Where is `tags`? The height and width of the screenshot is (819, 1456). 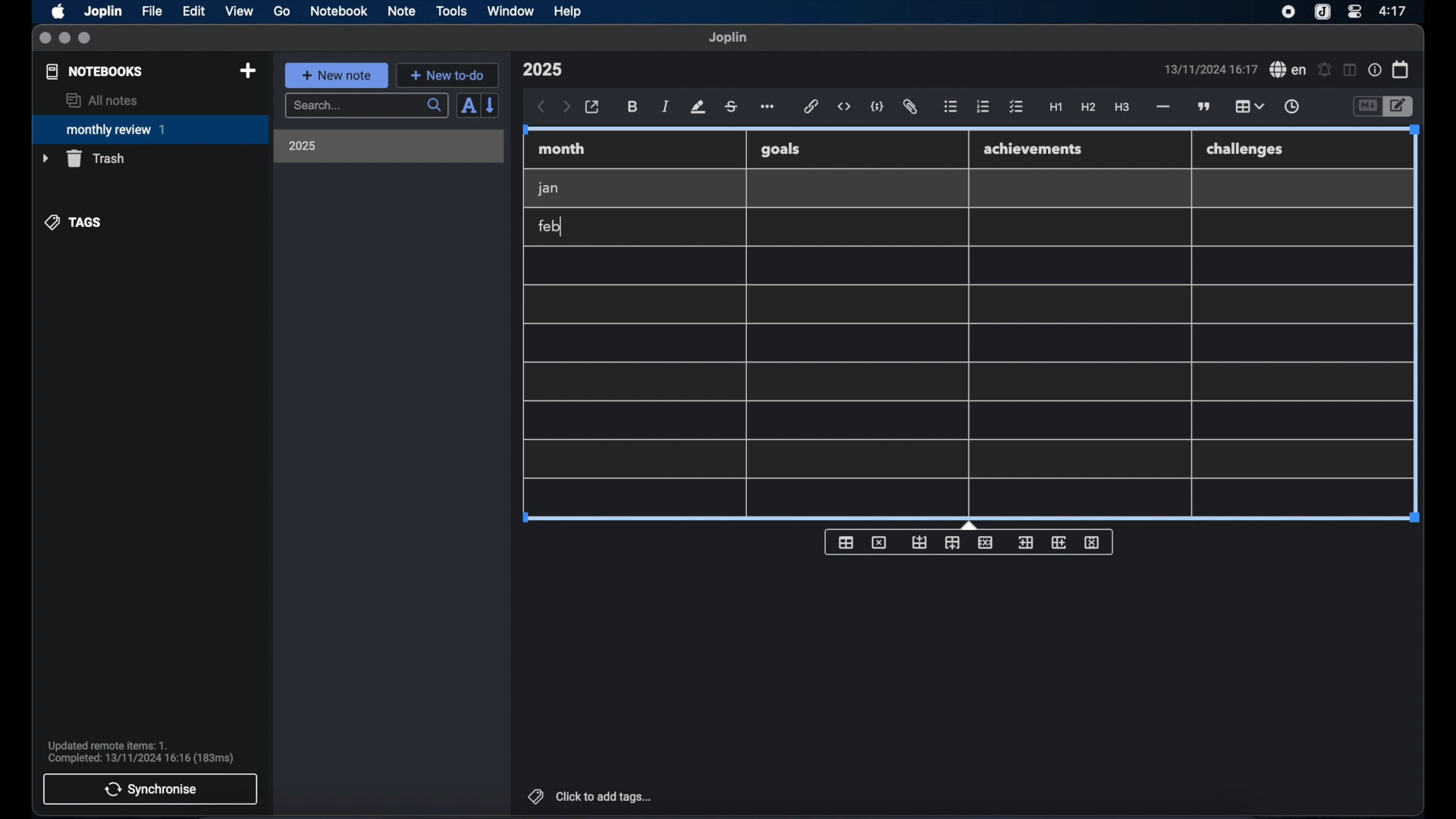
tags is located at coordinates (74, 222).